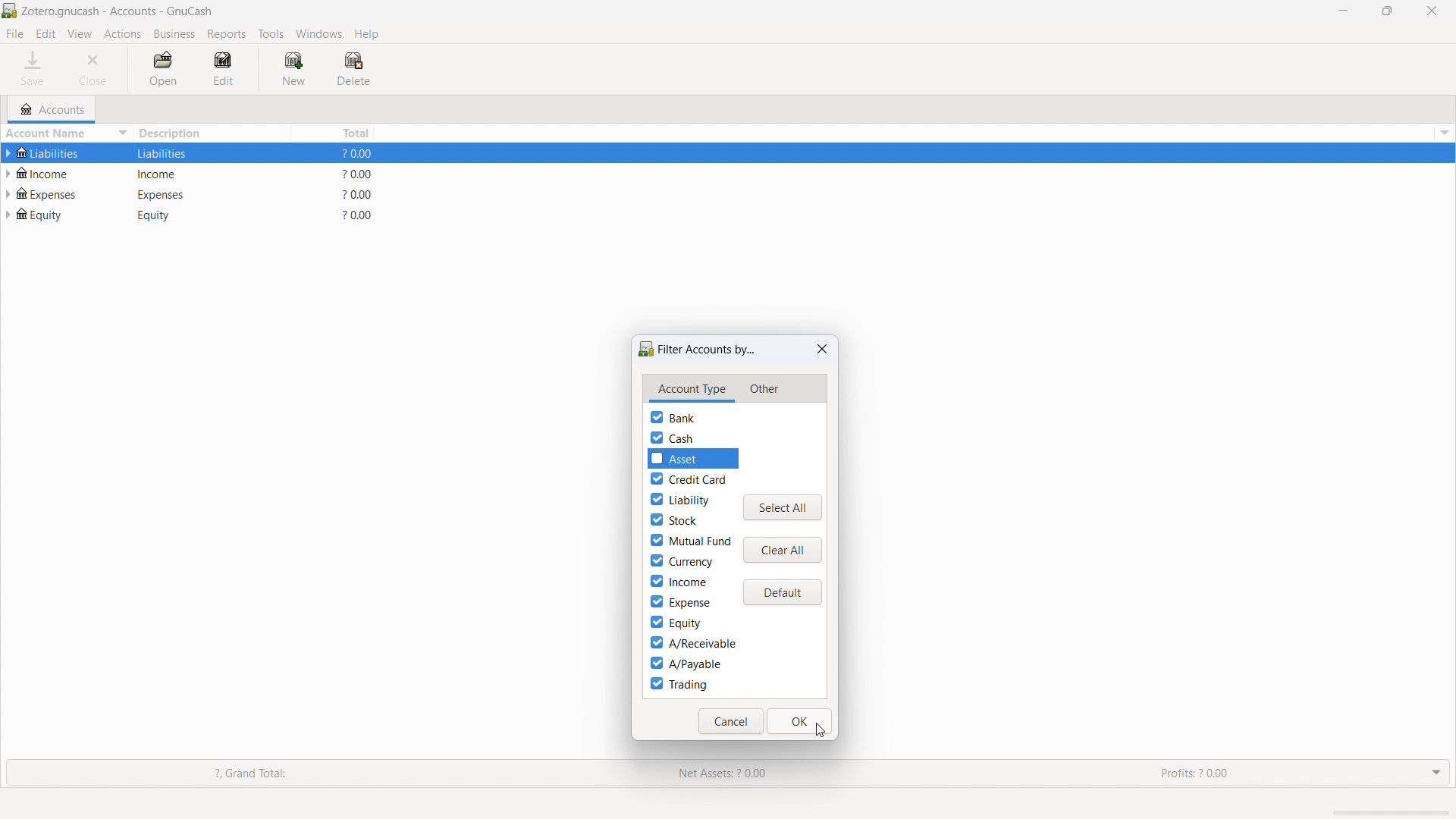 This screenshot has width=1456, height=819. I want to click on edit, so click(227, 69).